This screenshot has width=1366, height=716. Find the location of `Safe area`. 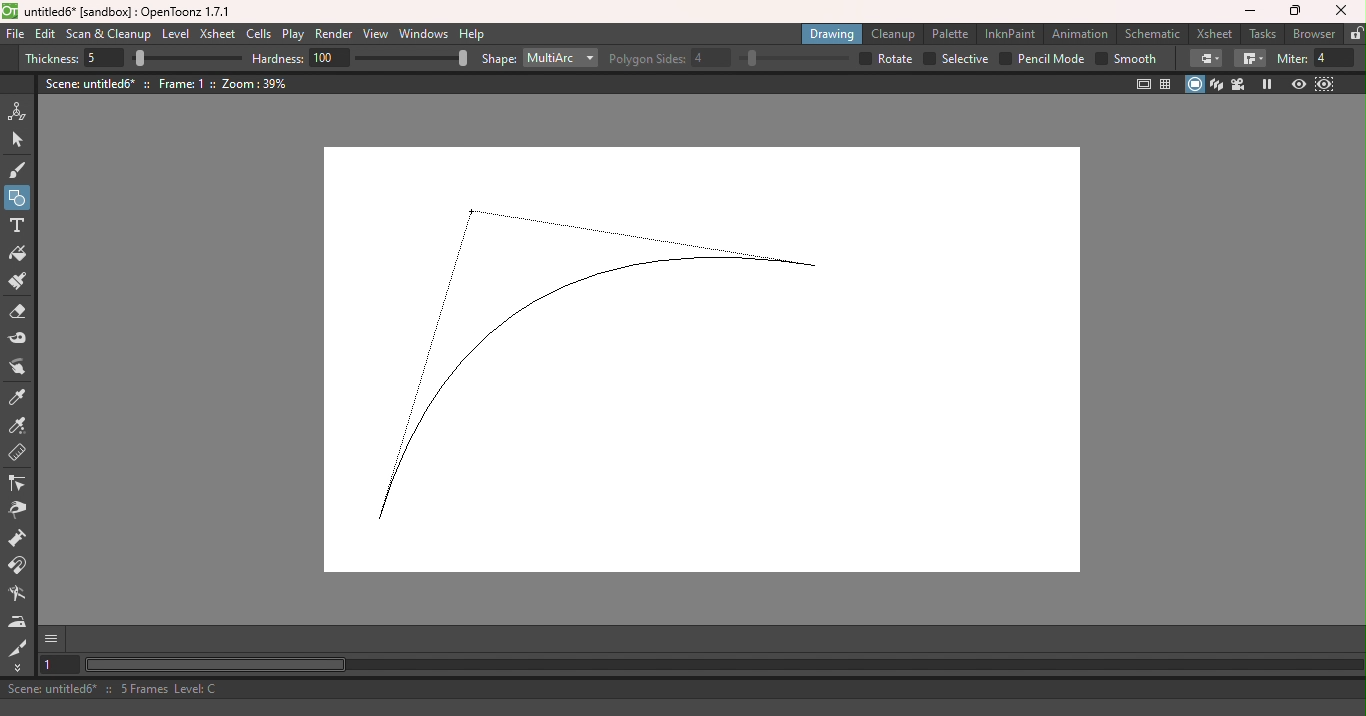

Safe area is located at coordinates (1144, 84).